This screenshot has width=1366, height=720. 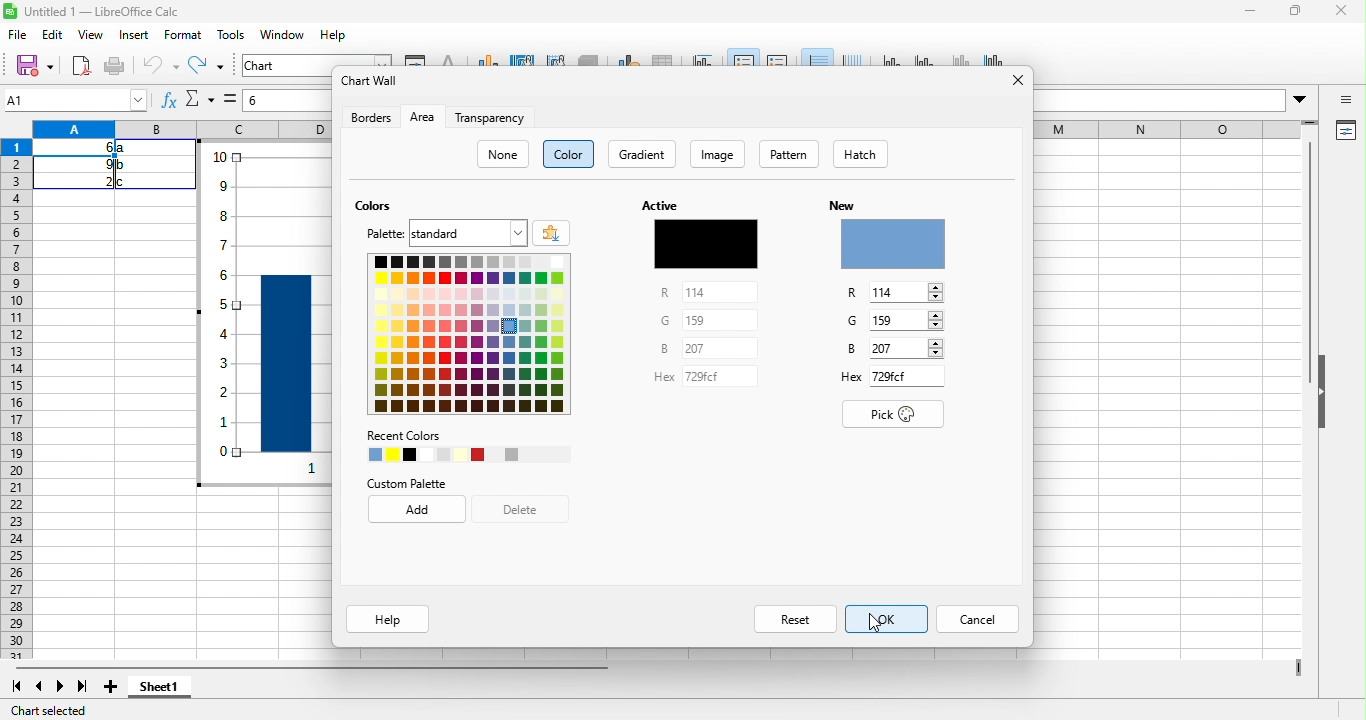 I want to click on 114, so click(x=700, y=292).